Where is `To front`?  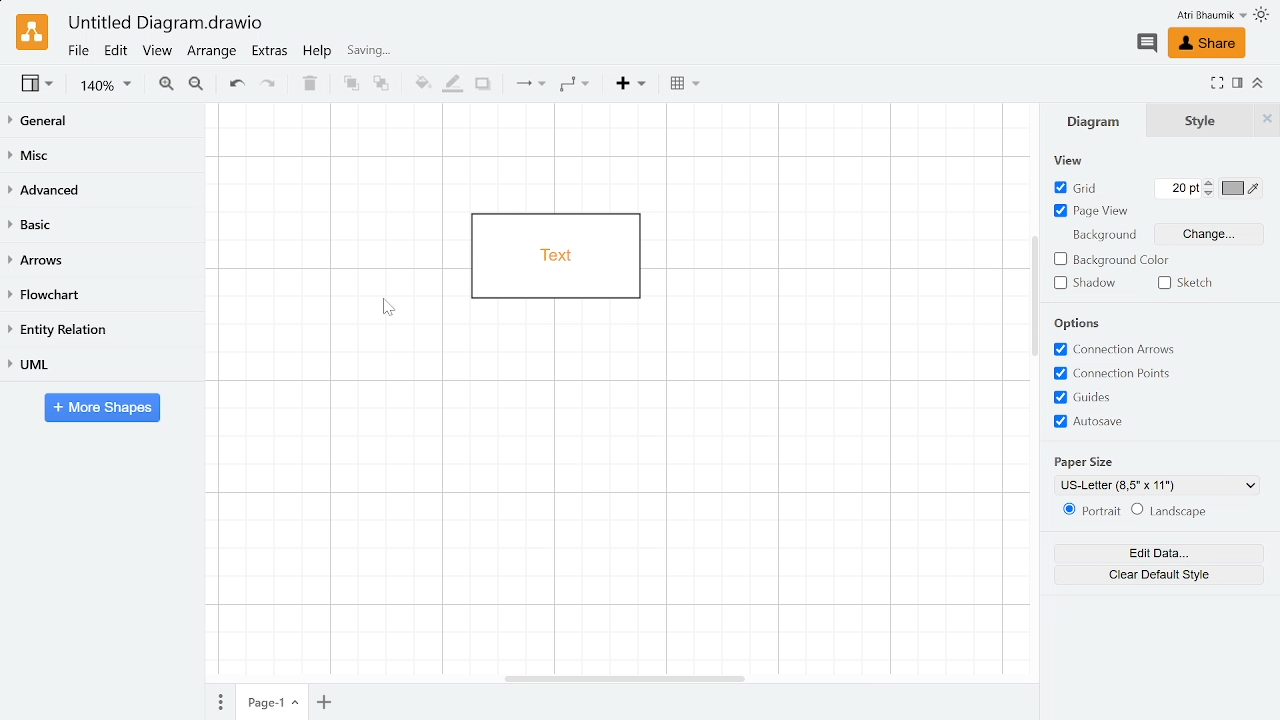 To front is located at coordinates (348, 85).